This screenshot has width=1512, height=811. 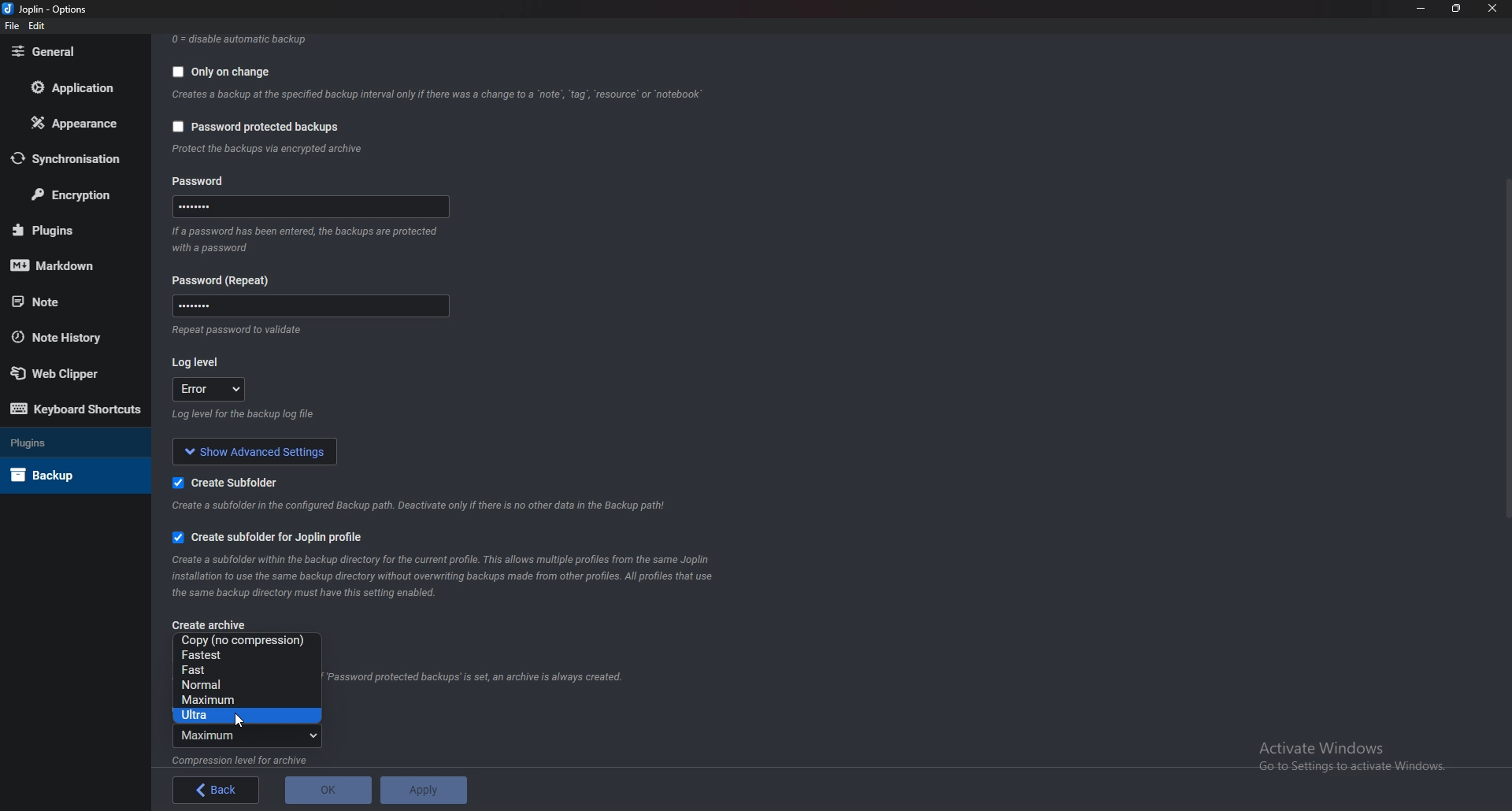 I want to click on Info on log level, so click(x=244, y=414).